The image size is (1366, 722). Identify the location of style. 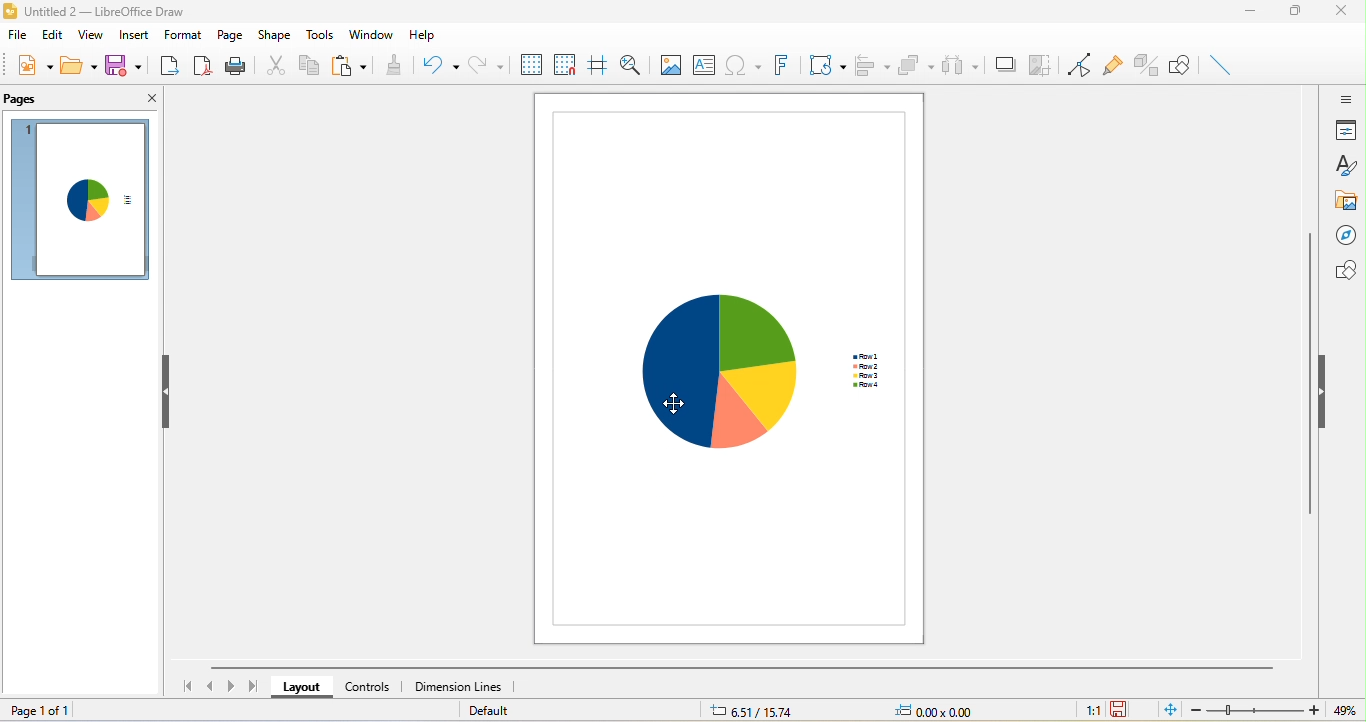
(1345, 167).